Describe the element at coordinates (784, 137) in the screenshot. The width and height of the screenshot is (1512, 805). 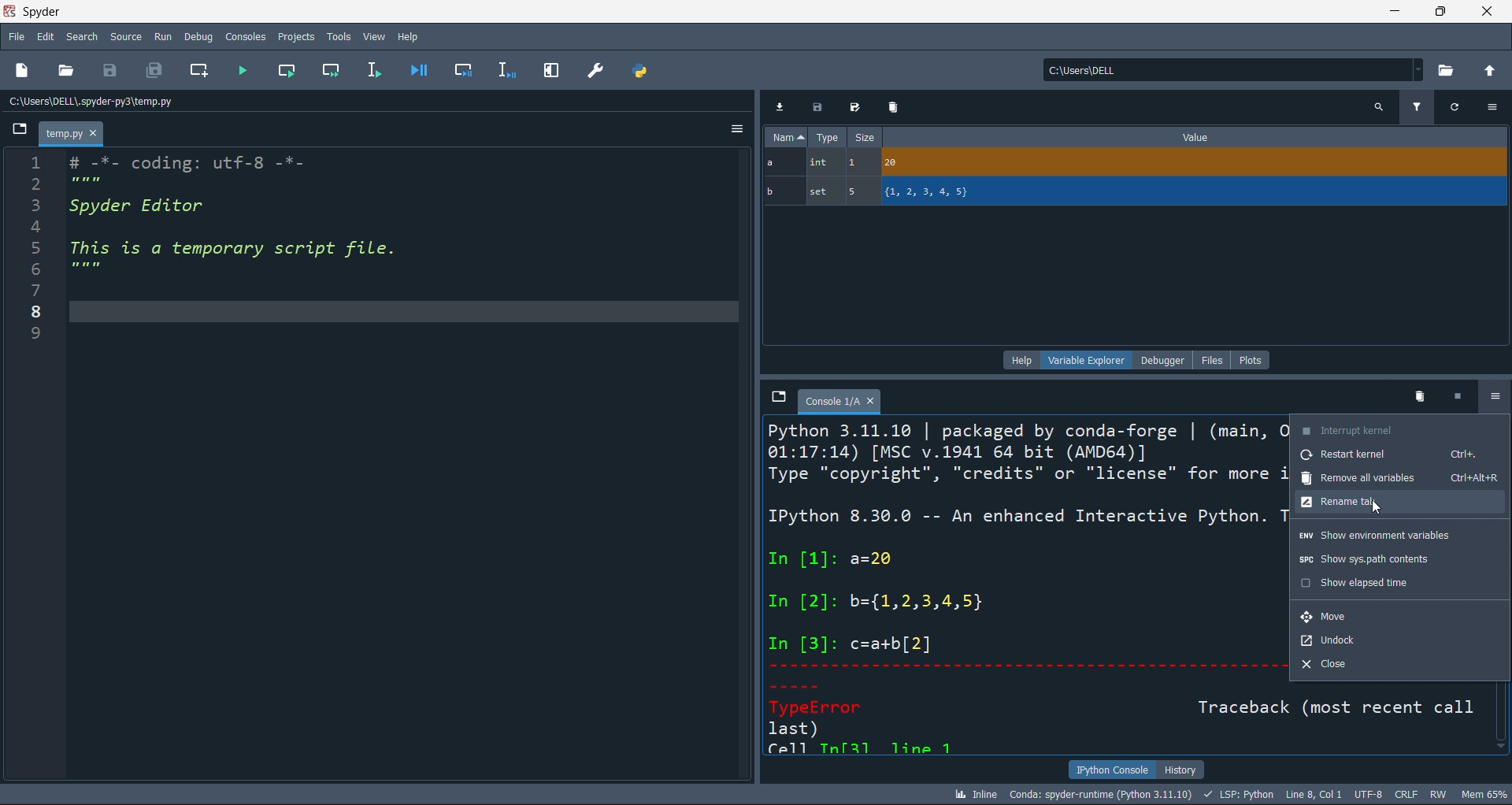
I see `name` at that location.